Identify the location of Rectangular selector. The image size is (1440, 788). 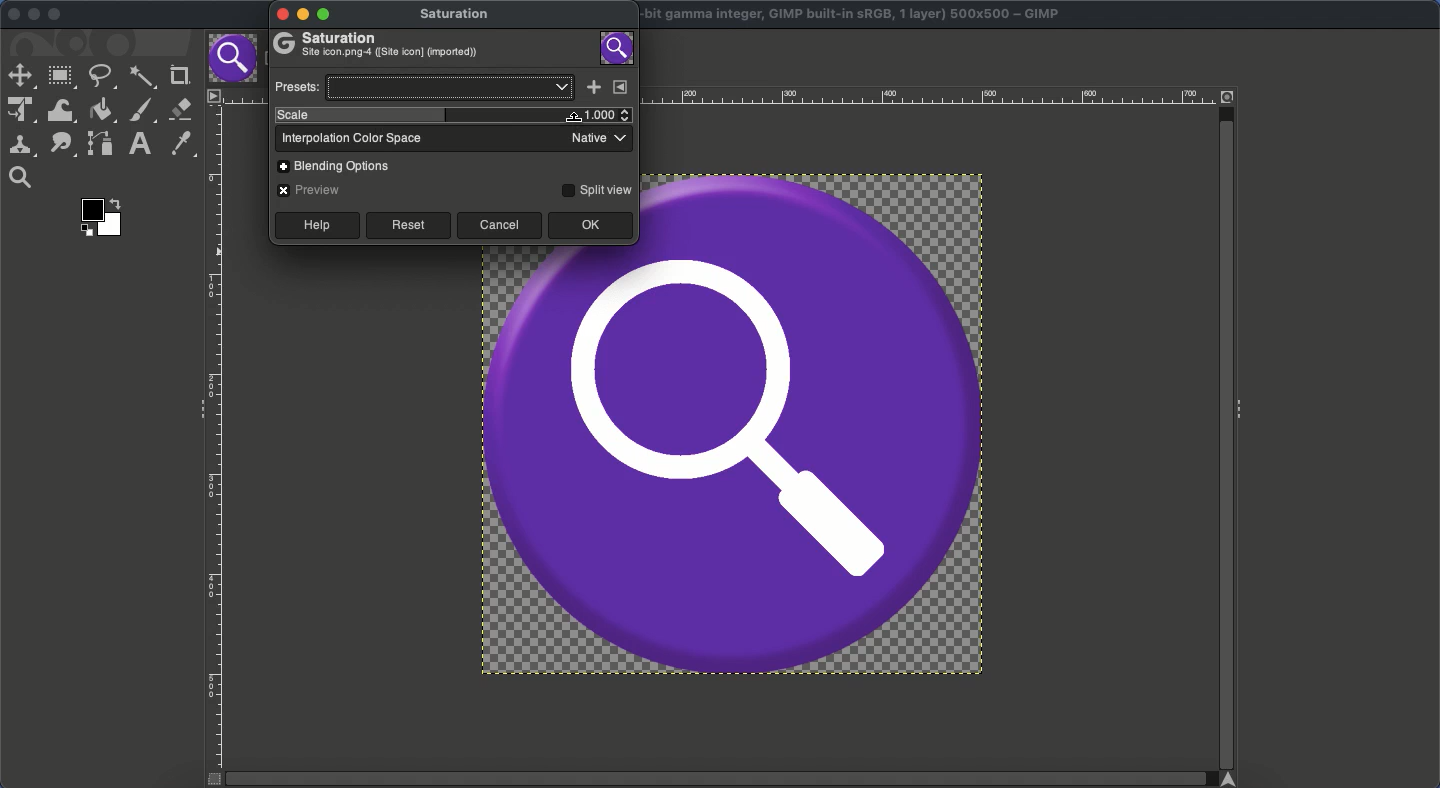
(61, 79).